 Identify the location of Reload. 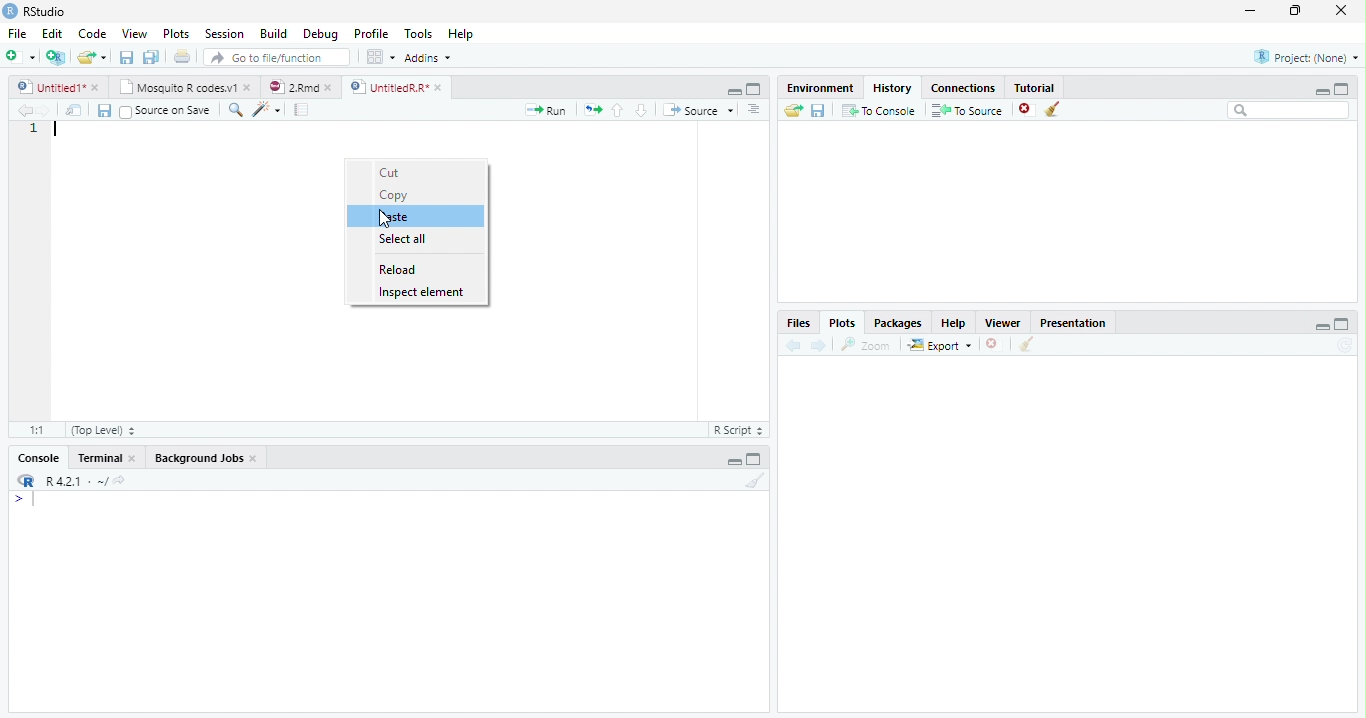
(398, 269).